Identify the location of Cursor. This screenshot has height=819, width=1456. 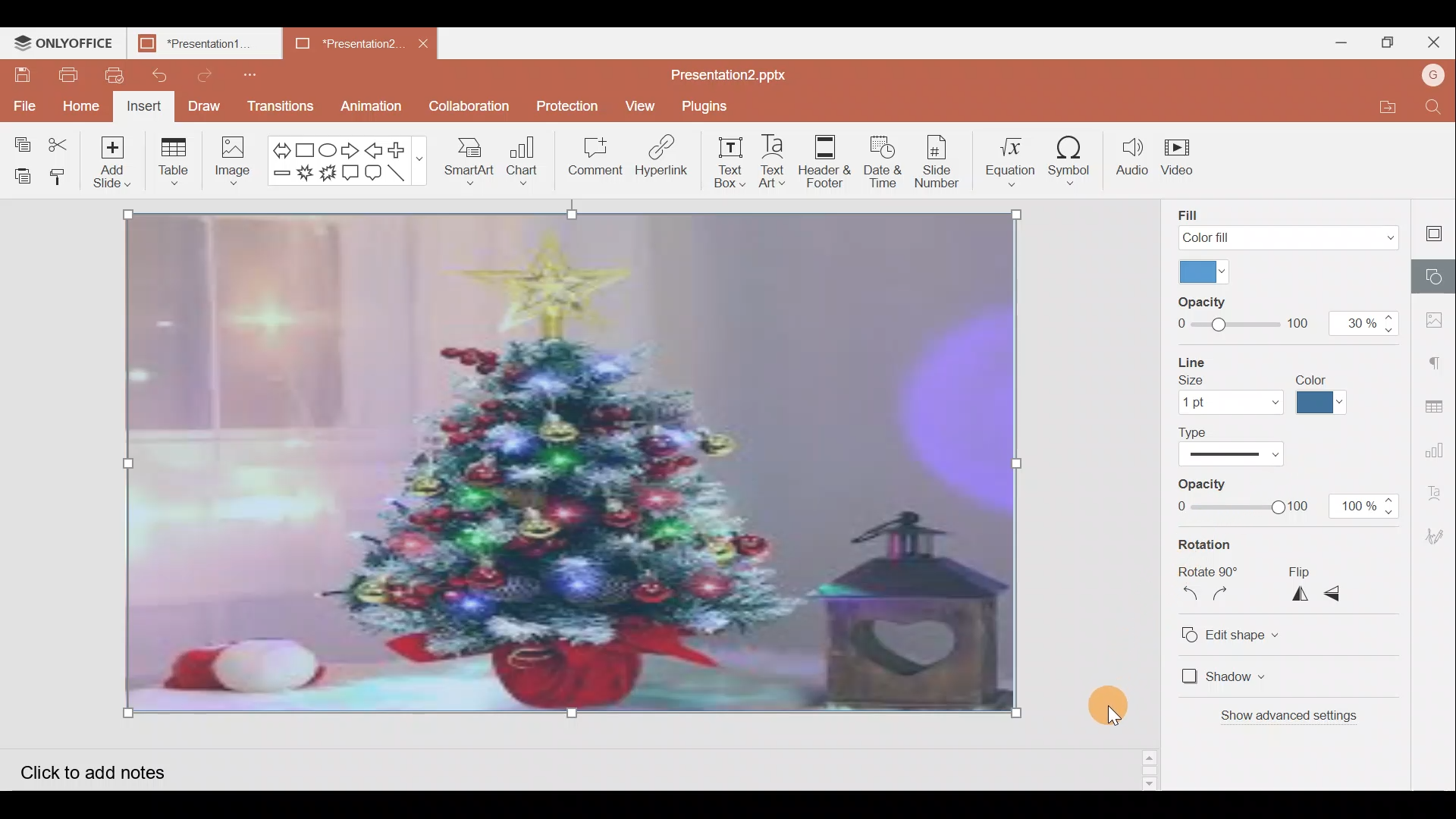
(1103, 698).